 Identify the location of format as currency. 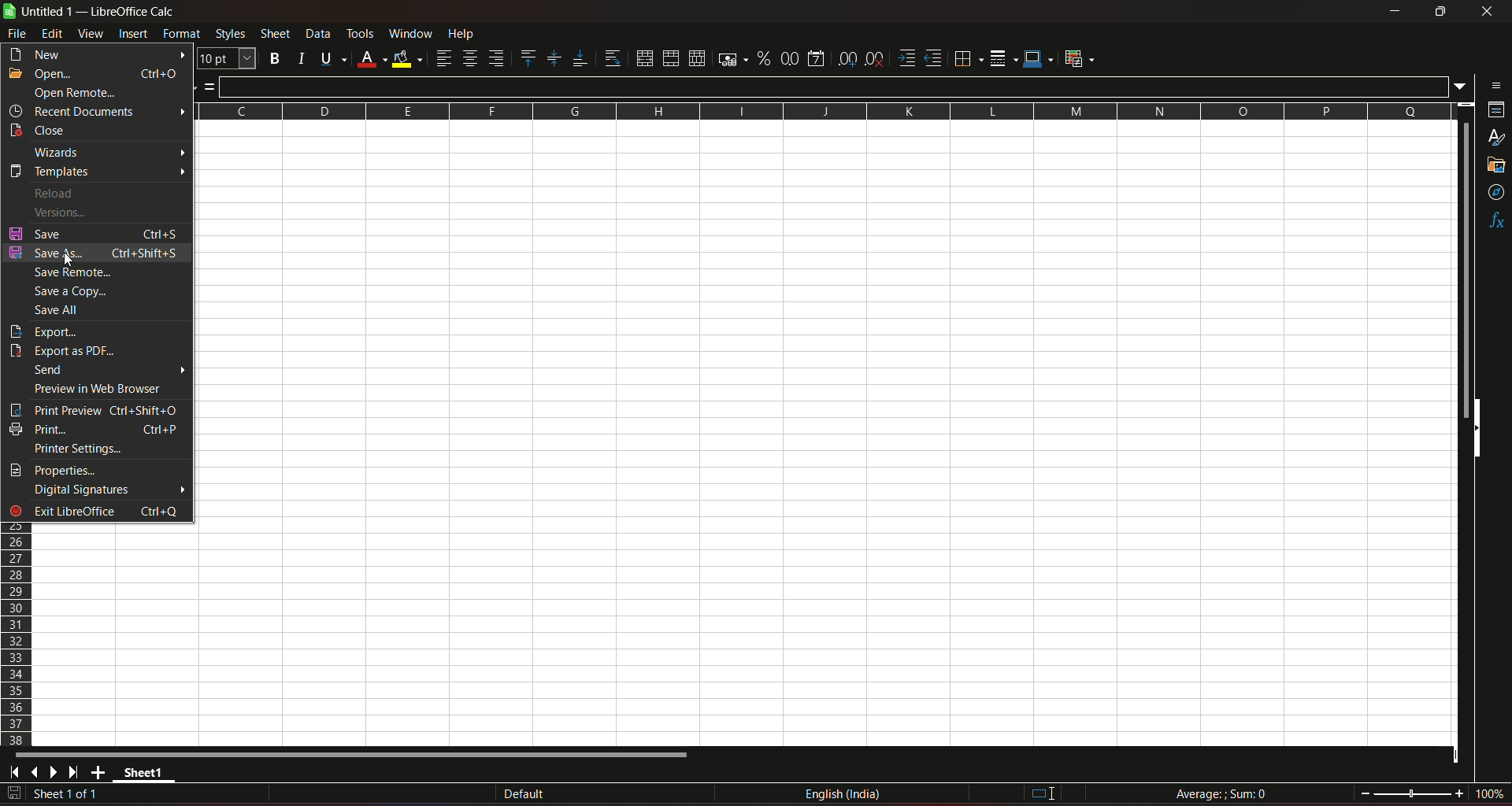
(729, 59).